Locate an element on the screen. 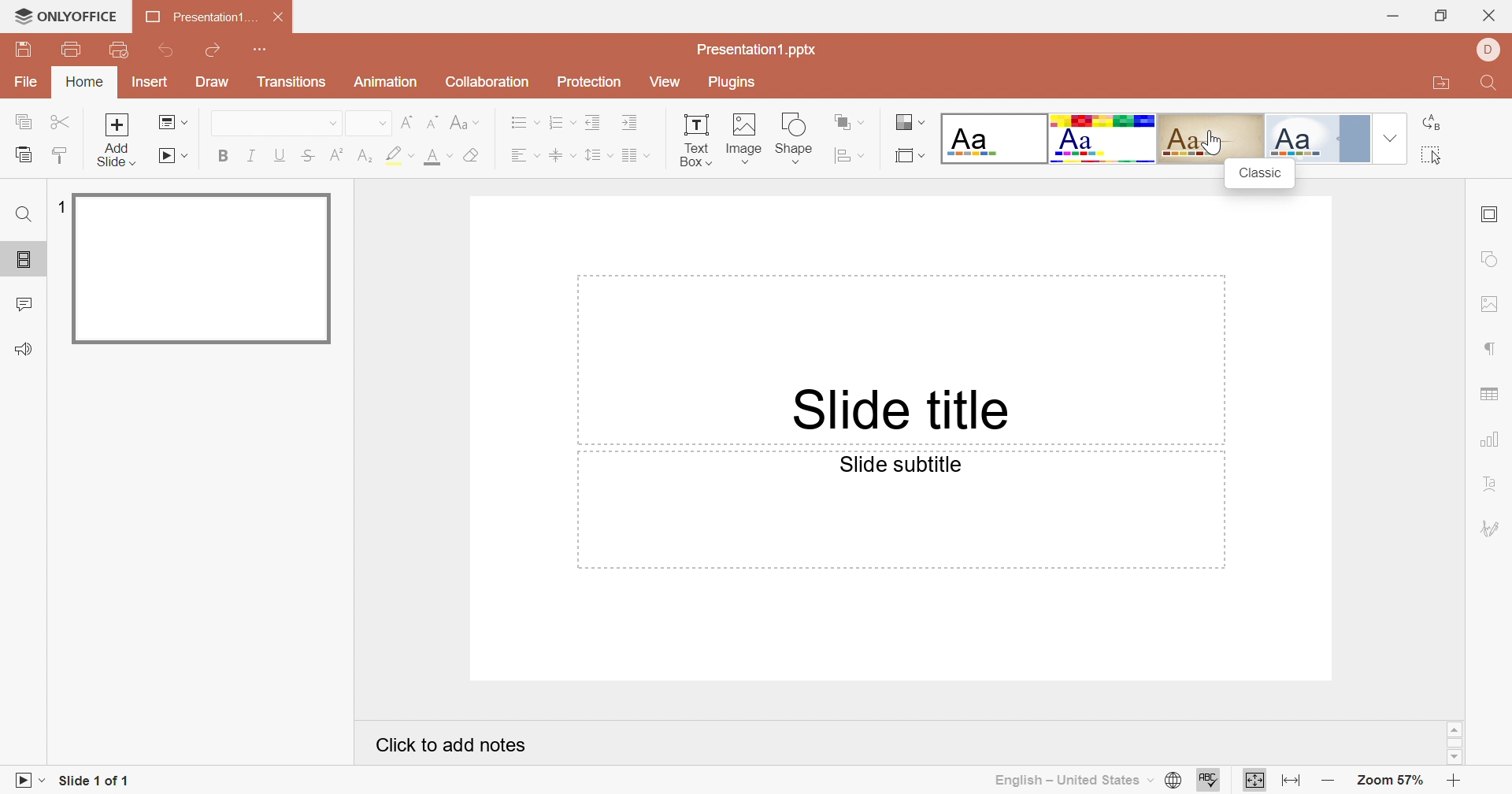 This screenshot has height=794, width=1512. Decrease Indent is located at coordinates (595, 121).